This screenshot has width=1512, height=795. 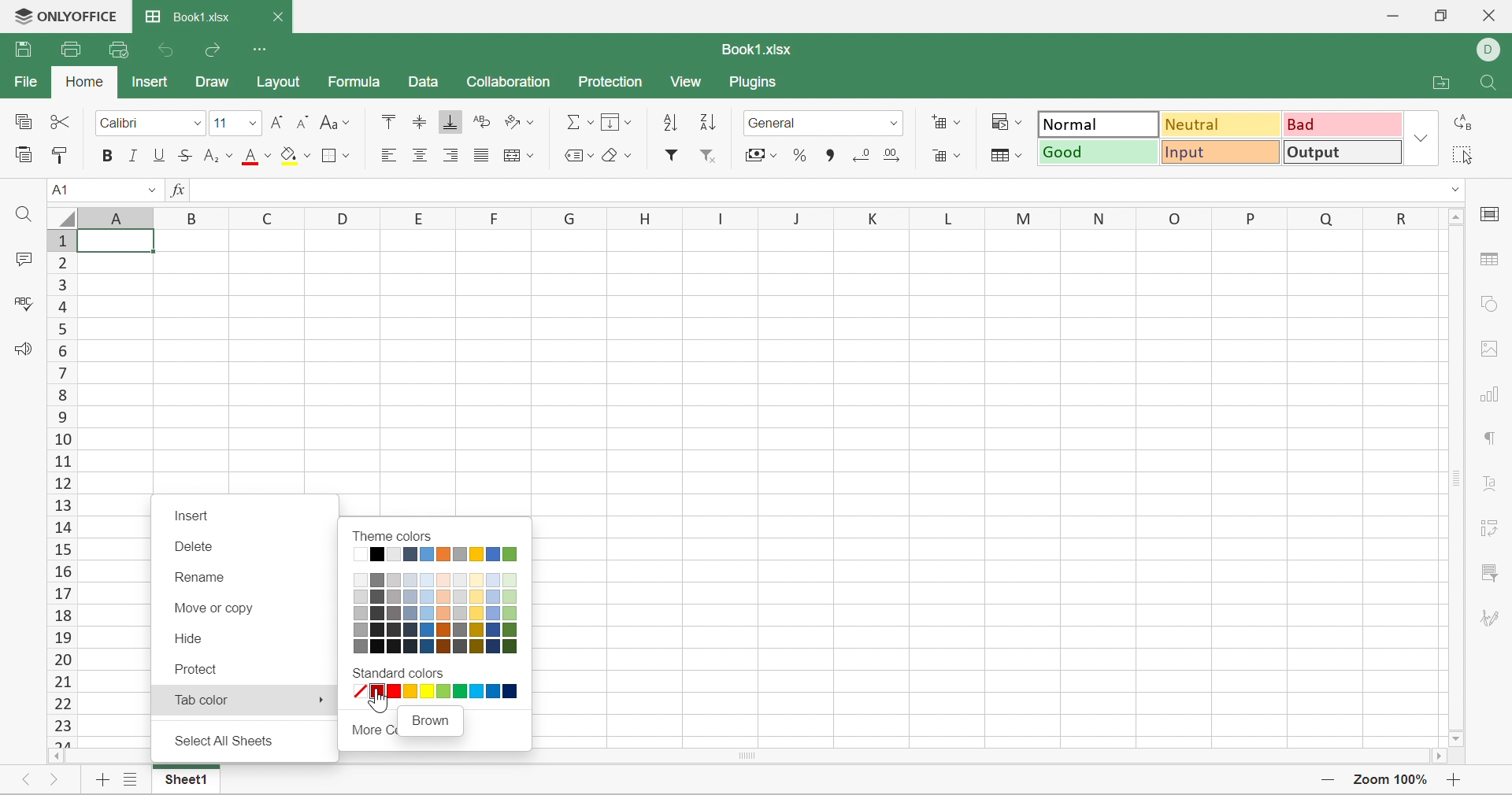 I want to click on Chart settings, so click(x=1487, y=394).